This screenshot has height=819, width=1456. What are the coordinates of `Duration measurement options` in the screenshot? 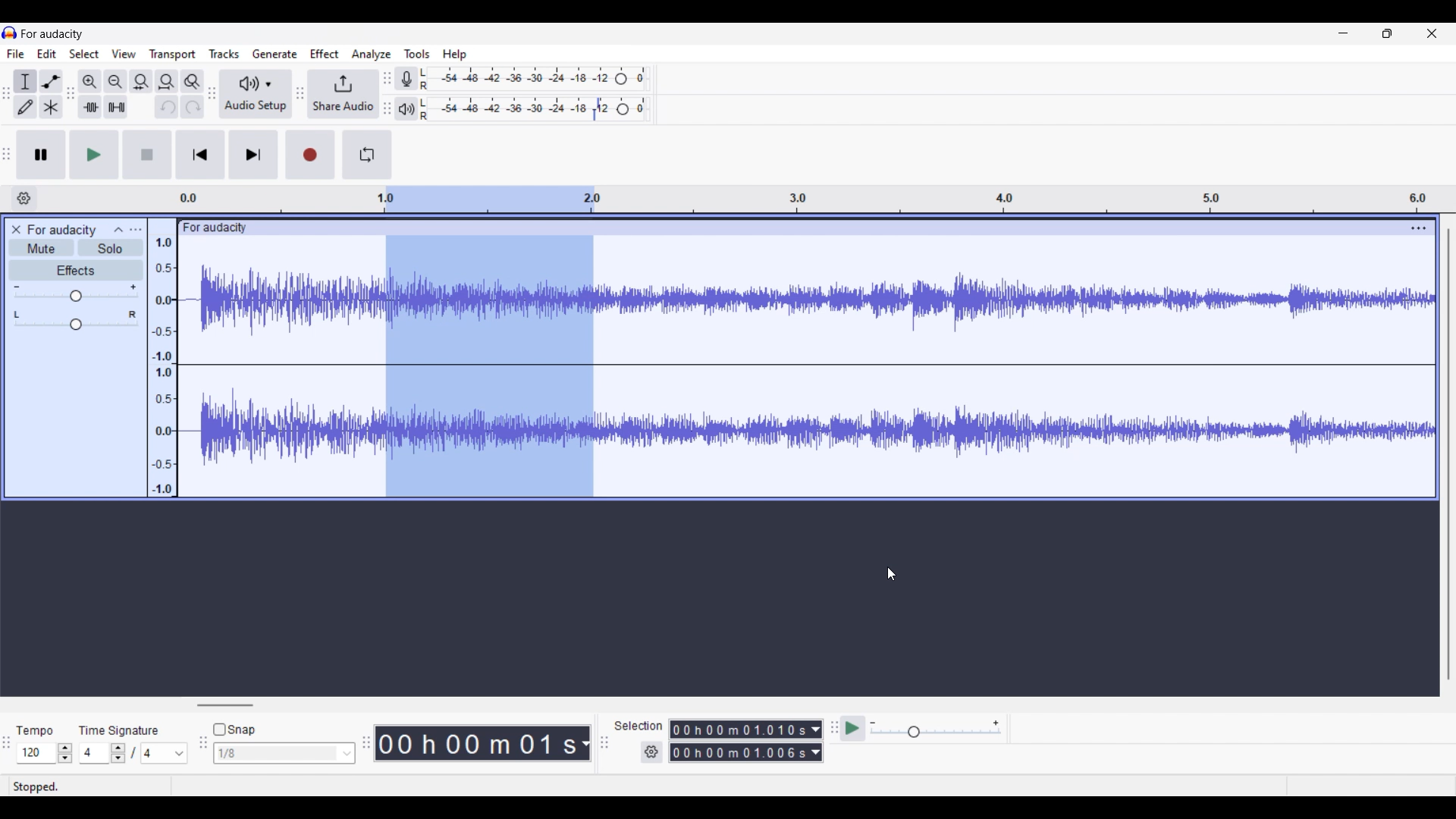 It's located at (816, 741).